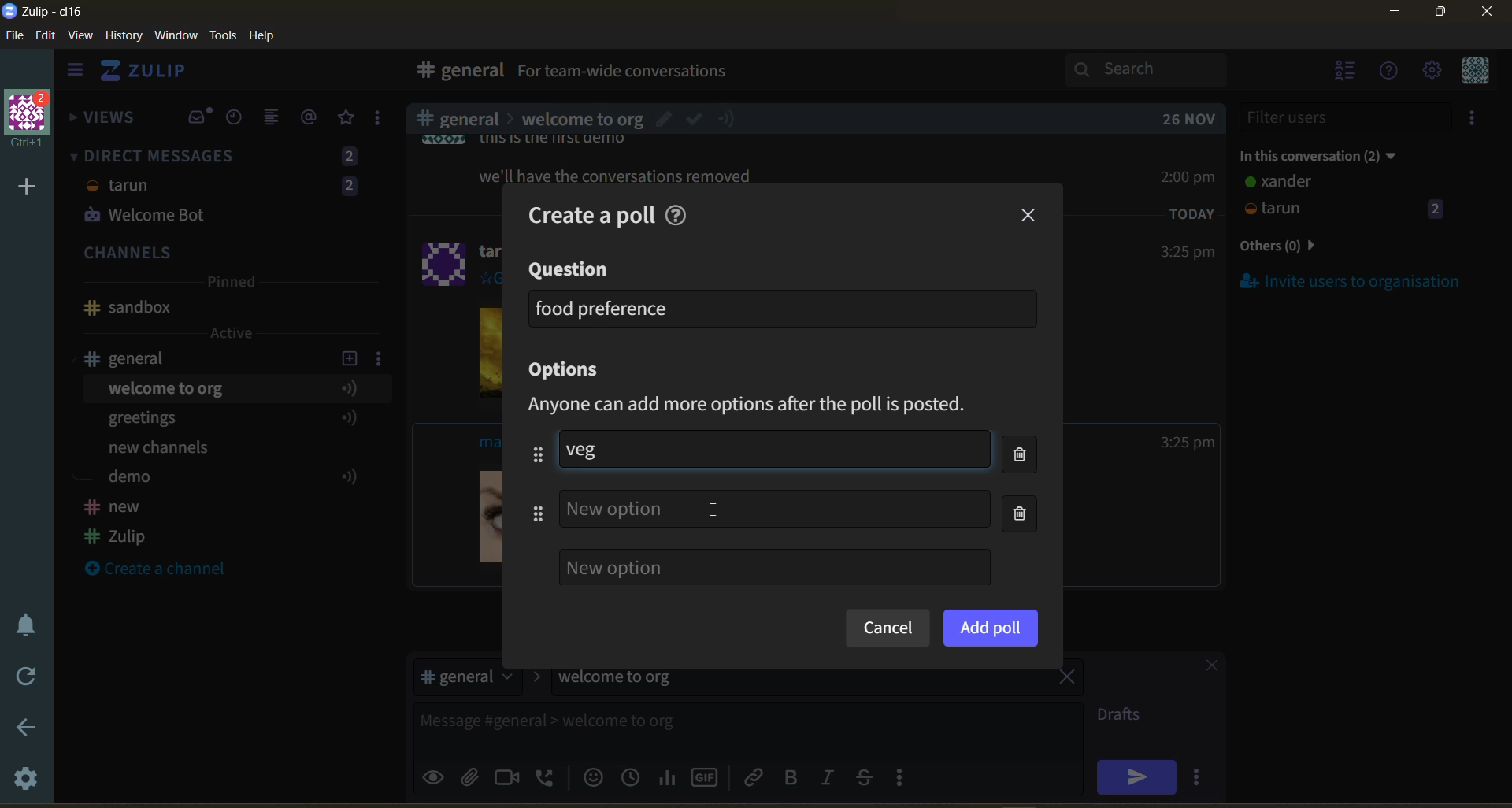  What do you see at coordinates (1488, 17) in the screenshot?
I see `close` at bounding box center [1488, 17].